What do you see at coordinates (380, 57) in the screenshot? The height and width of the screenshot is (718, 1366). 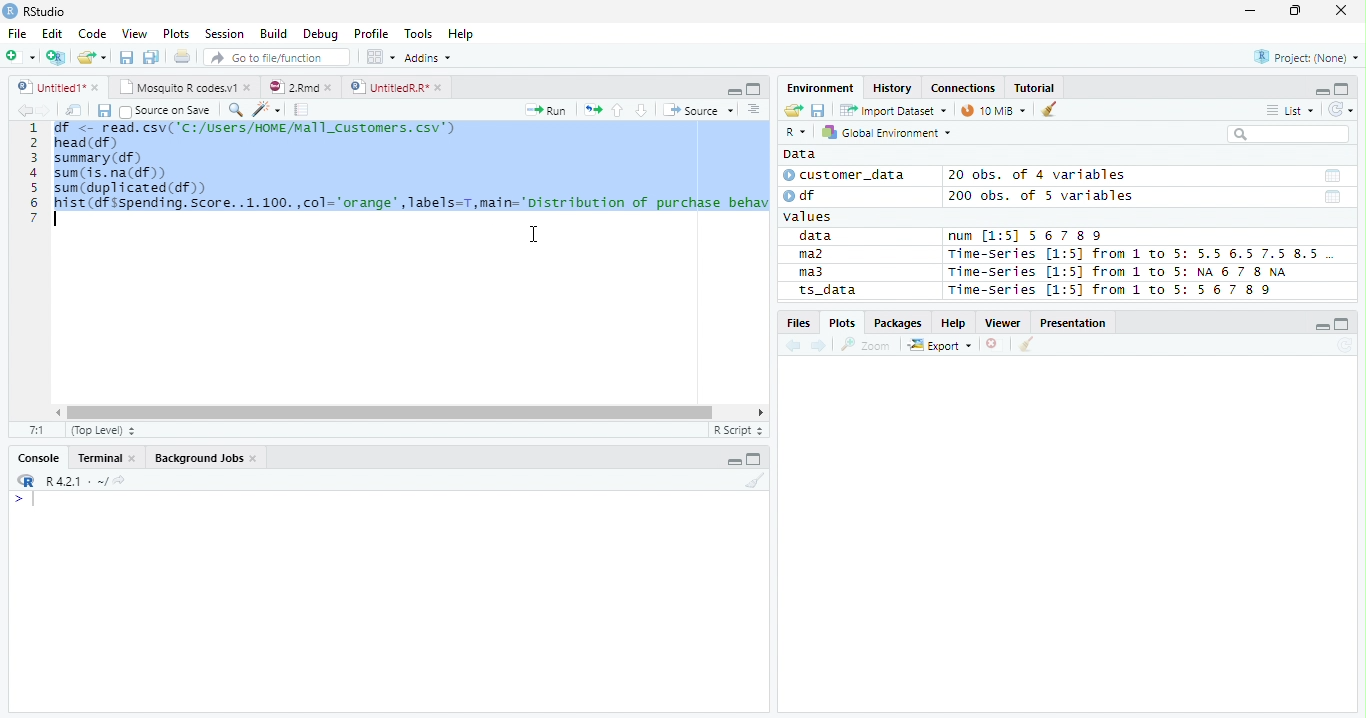 I see `Workplace panes` at bounding box center [380, 57].